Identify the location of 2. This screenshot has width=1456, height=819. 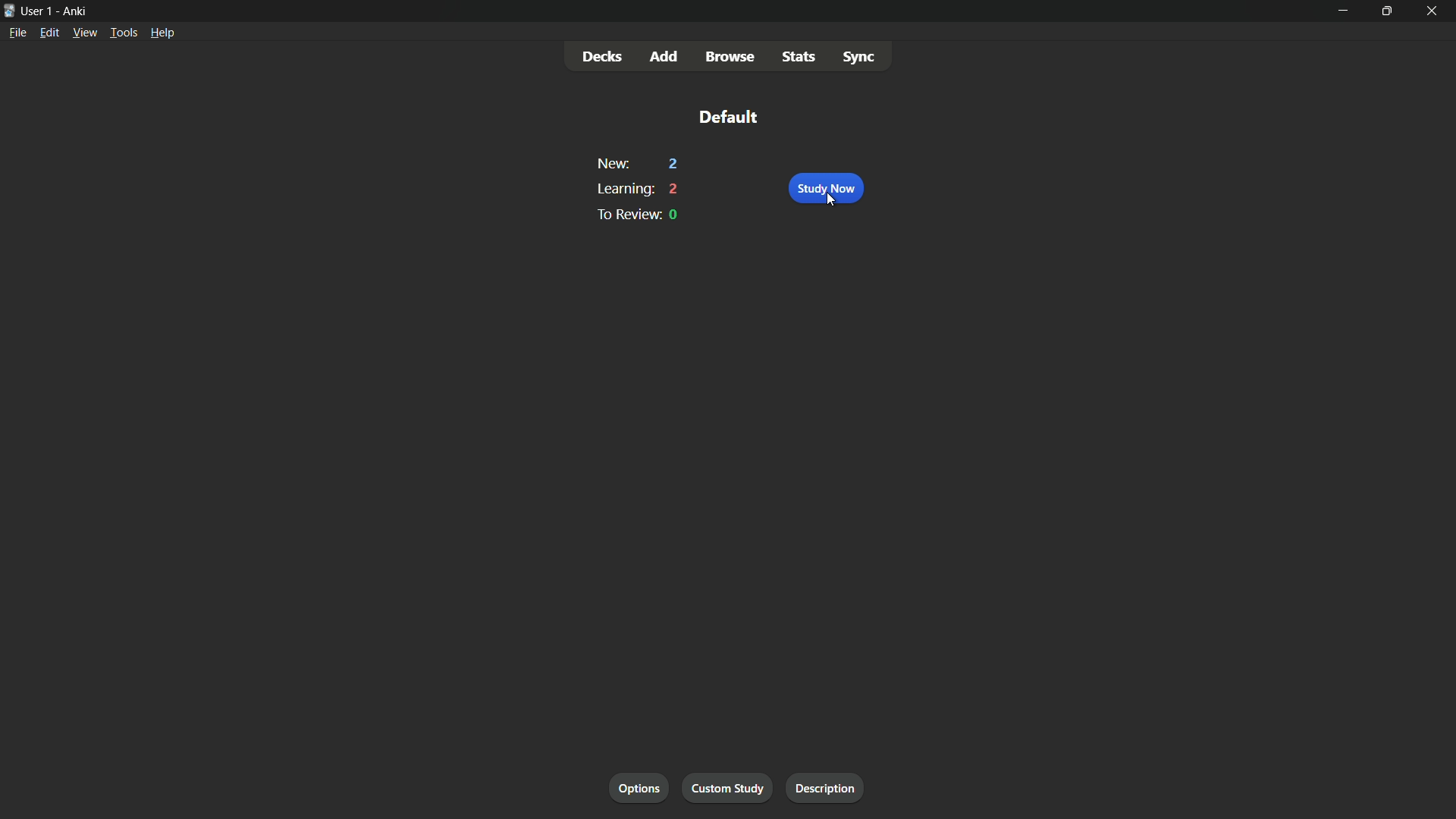
(670, 164).